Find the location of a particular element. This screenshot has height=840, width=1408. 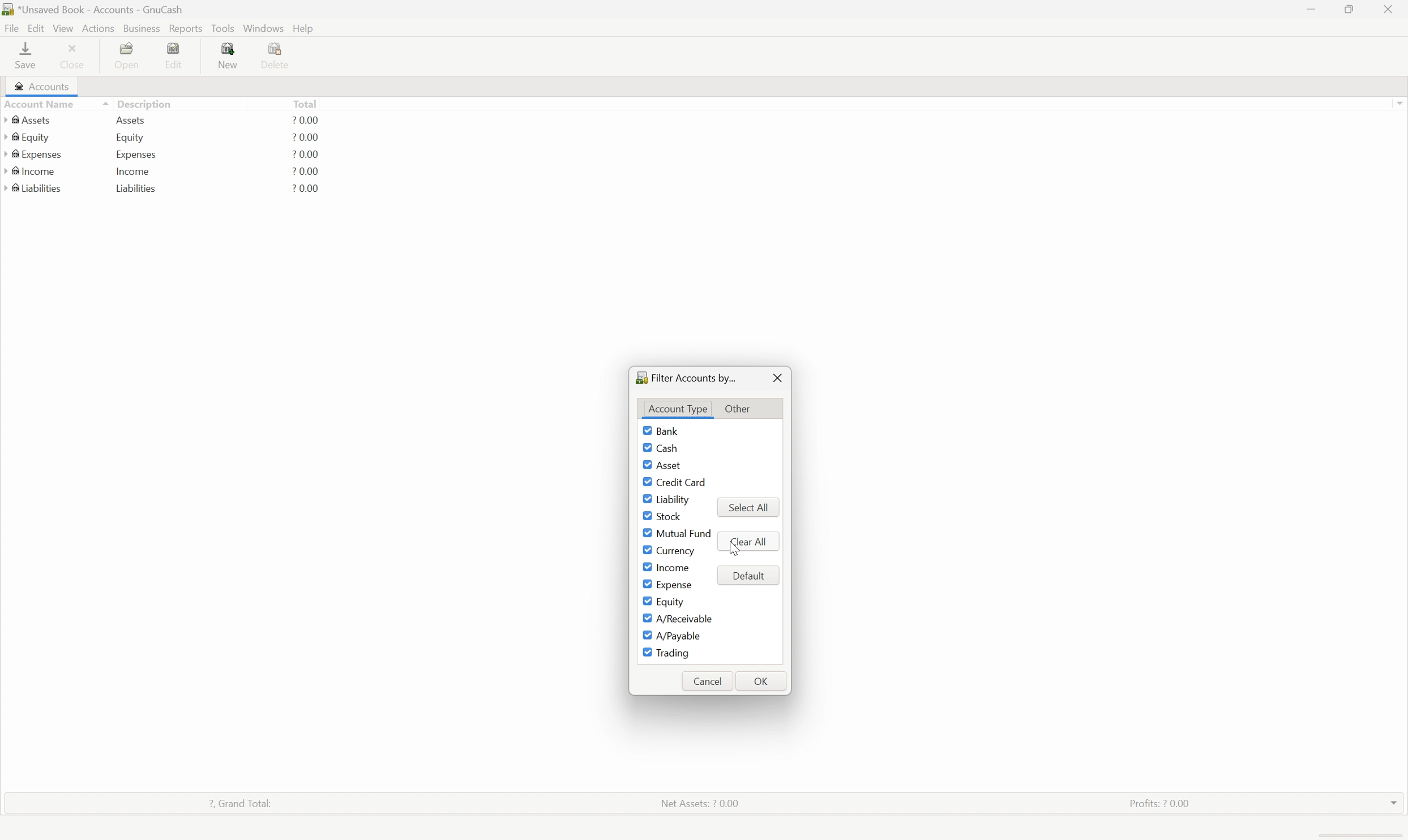

Total is located at coordinates (305, 103).